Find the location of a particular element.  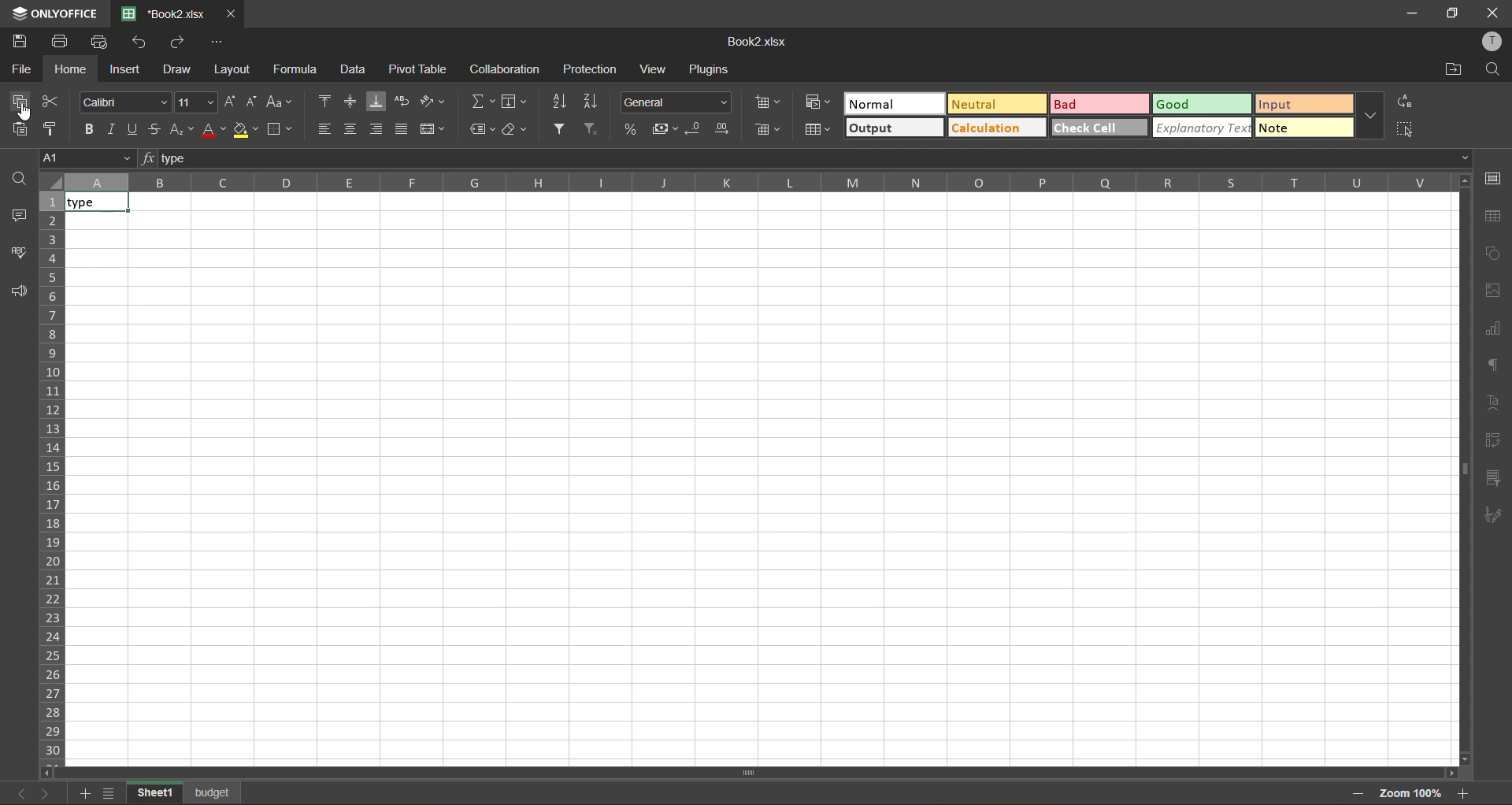

borders is located at coordinates (279, 129).